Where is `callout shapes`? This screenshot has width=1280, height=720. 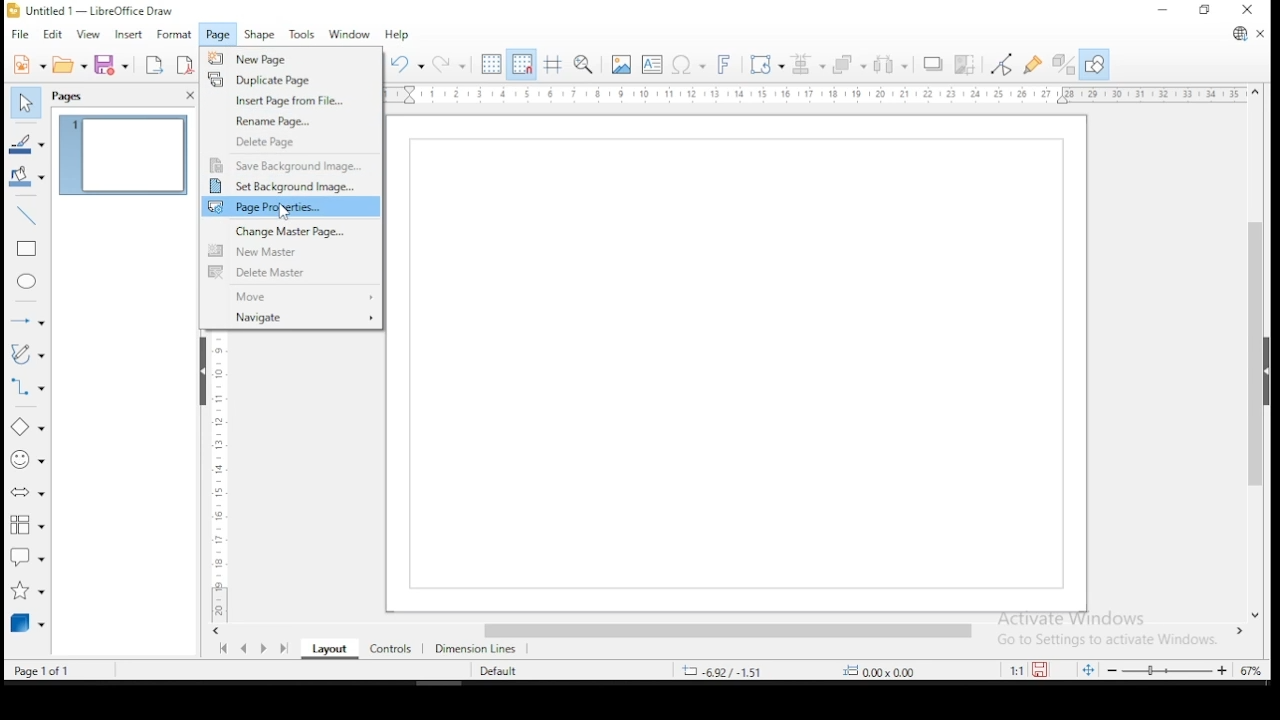
callout shapes is located at coordinates (27, 559).